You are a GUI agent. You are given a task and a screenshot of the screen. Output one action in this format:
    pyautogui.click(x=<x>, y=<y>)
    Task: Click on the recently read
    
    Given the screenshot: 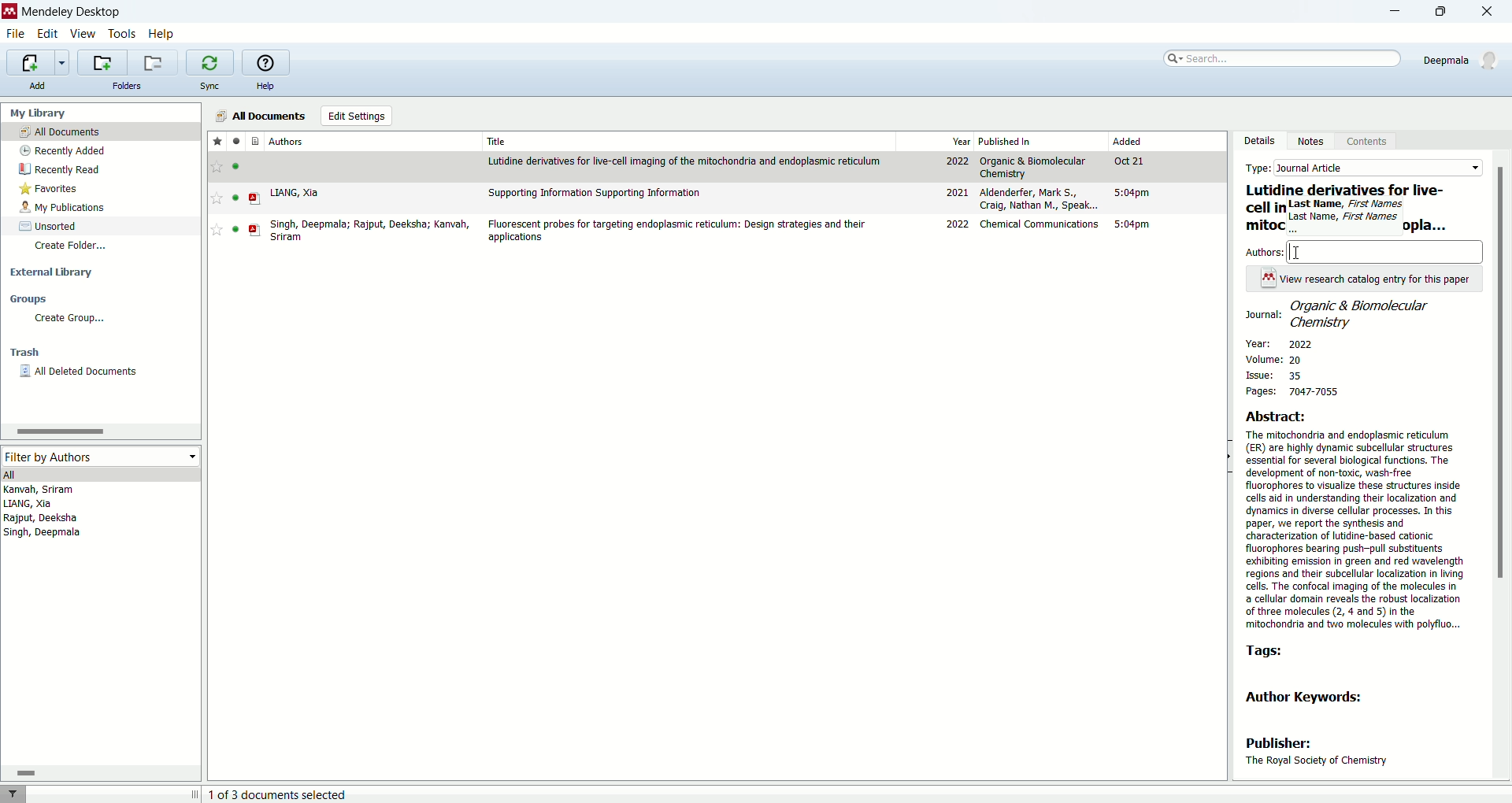 What is the action you would take?
    pyautogui.click(x=66, y=169)
    